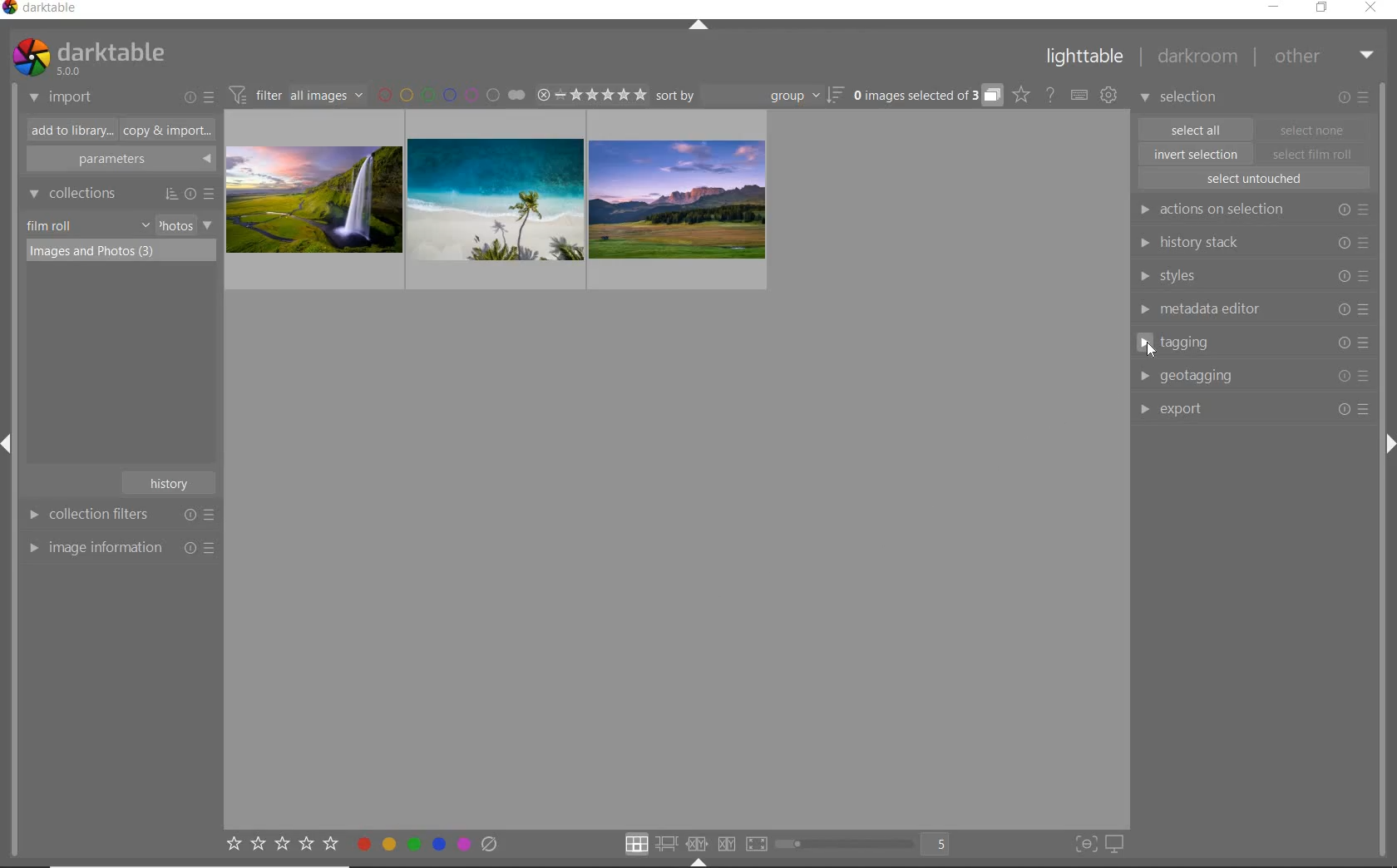 The image size is (1397, 868). What do you see at coordinates (119, 160) in the screenshot?
I see `parameters` at bounding box center [119, 160].